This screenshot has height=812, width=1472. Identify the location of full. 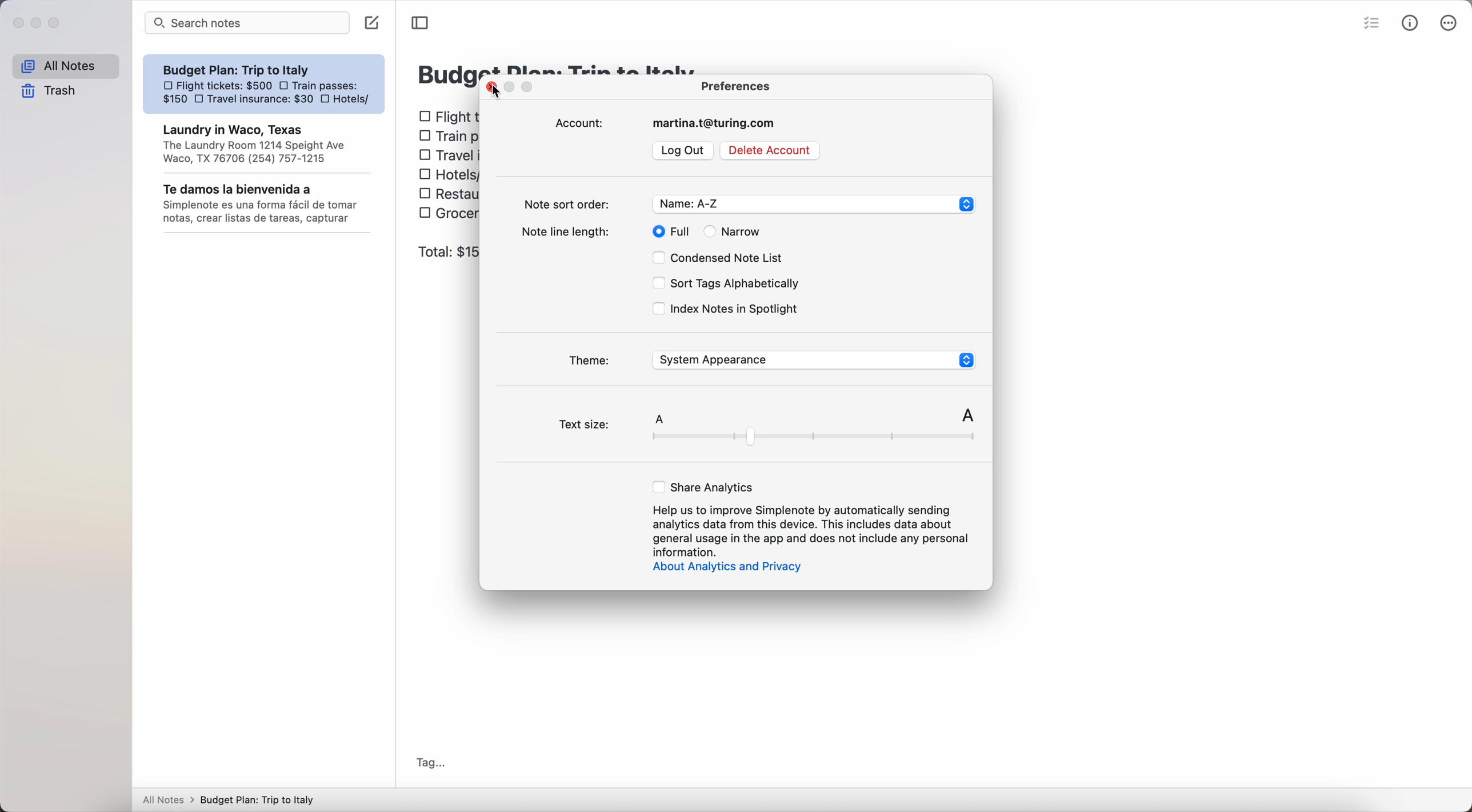
(673, 231).